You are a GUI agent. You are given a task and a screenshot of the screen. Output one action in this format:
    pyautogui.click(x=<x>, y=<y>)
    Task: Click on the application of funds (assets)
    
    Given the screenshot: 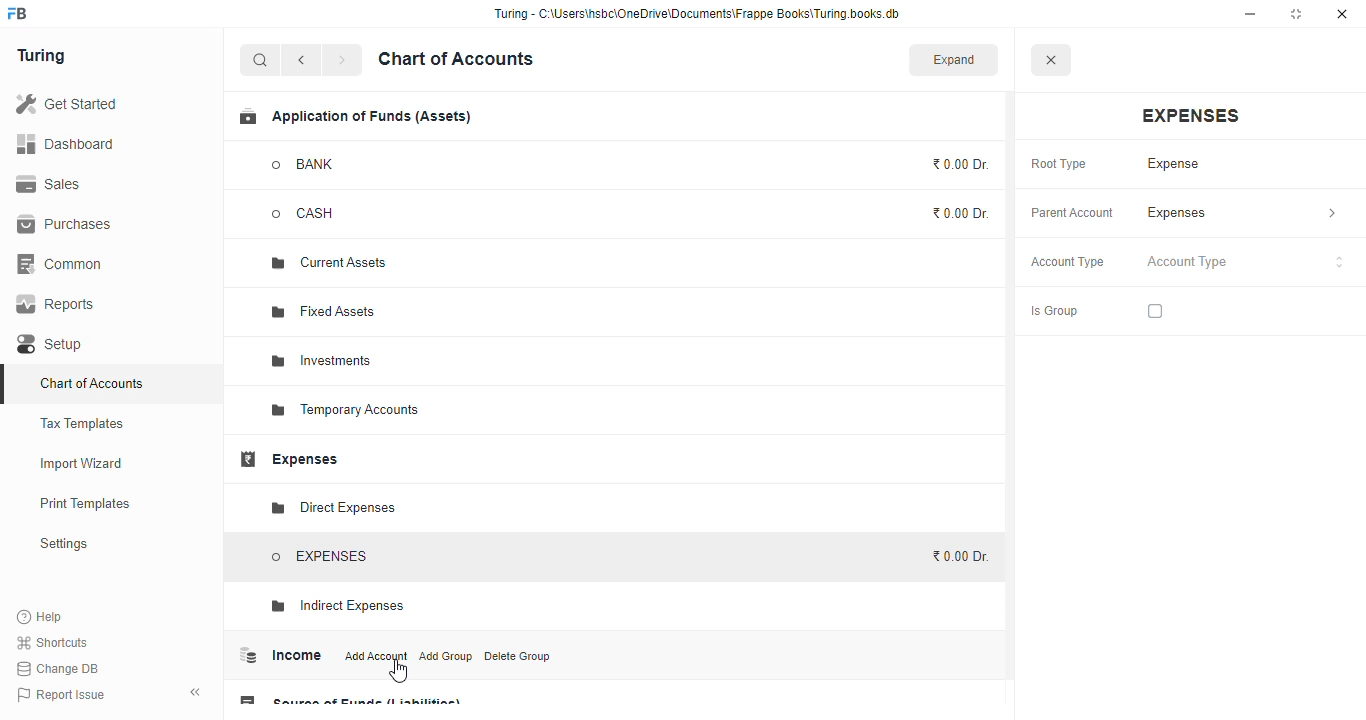 What is the action you would take?
    pyautogui.click(x=355, y=116)
    